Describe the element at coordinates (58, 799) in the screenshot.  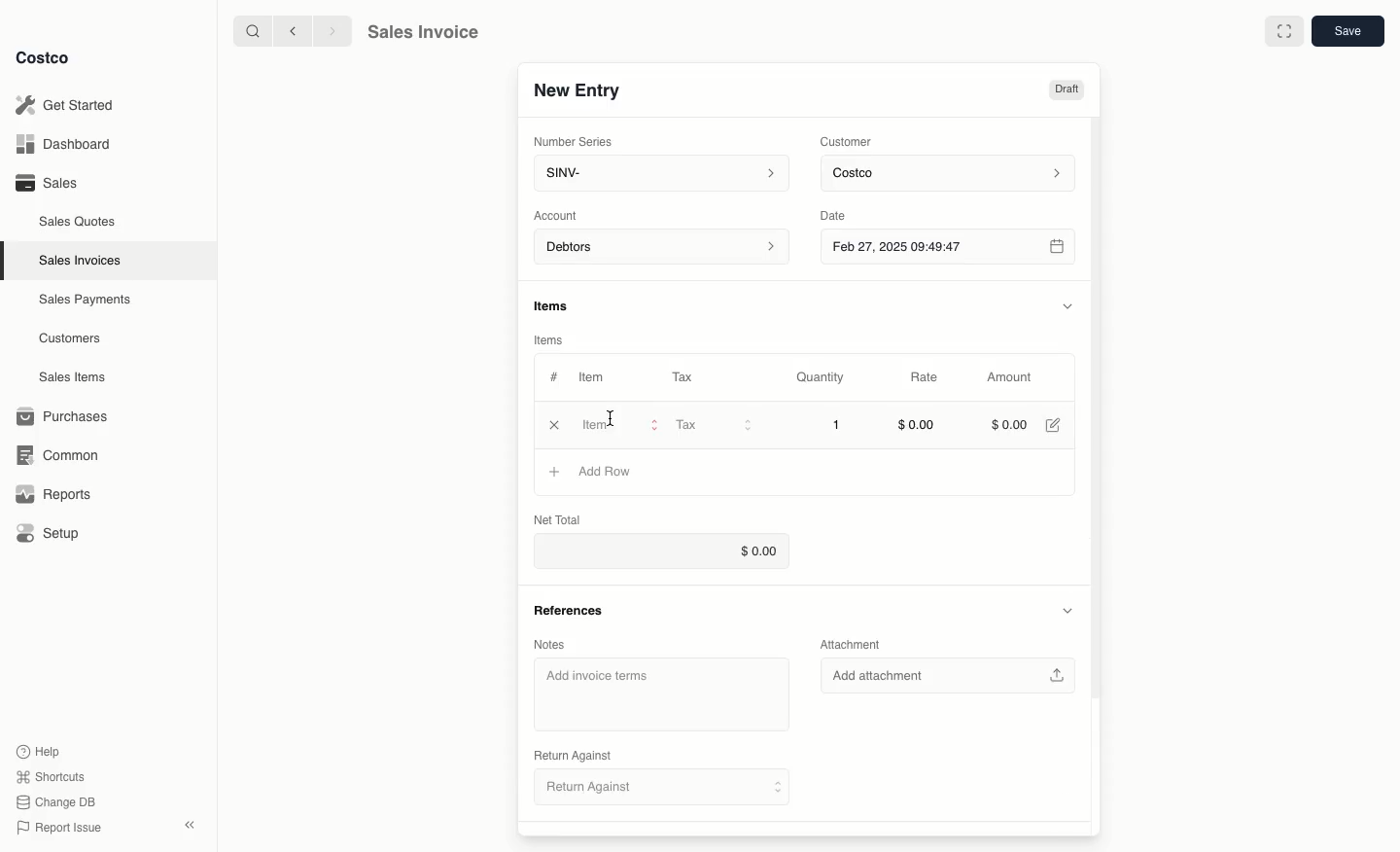
I see `Change DB` at that location.